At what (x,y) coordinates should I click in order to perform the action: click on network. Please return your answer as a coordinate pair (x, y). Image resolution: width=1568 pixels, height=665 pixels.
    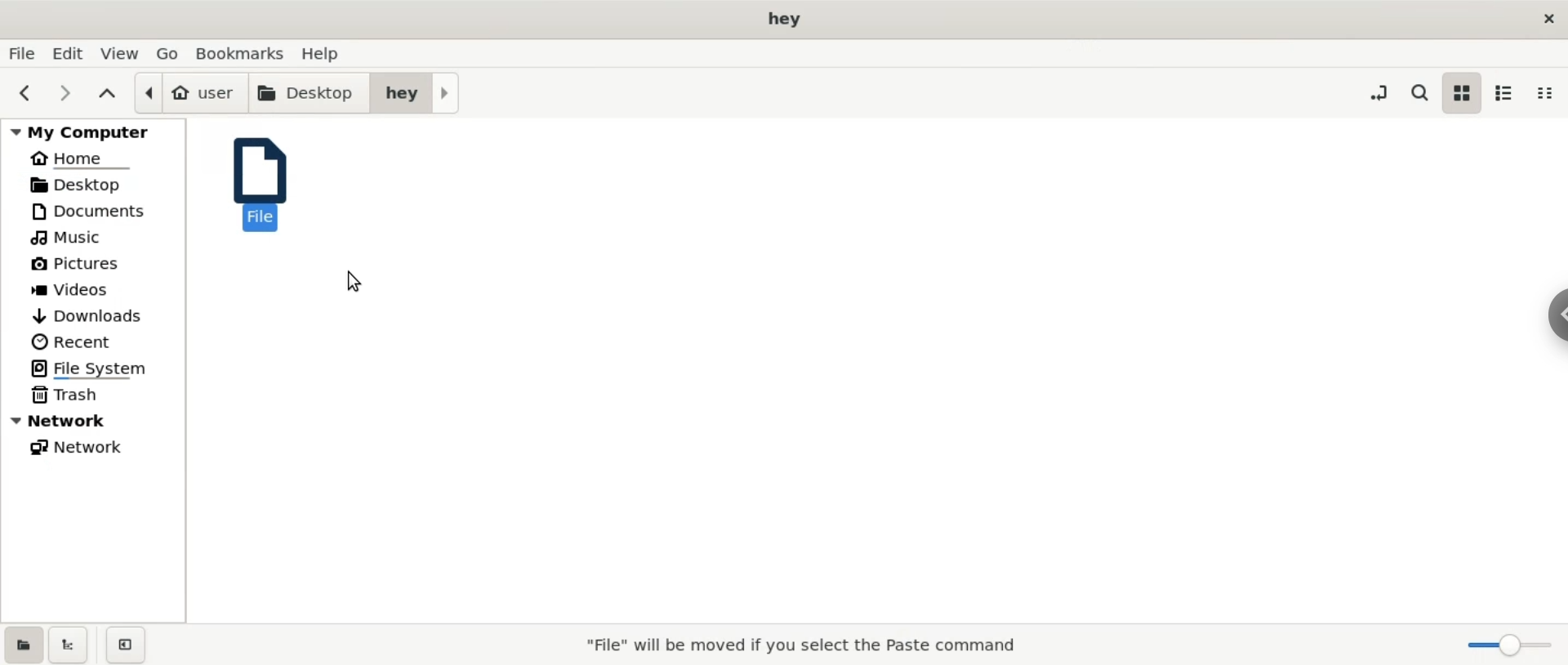
    Looking at the image, I should click on (96, 422).